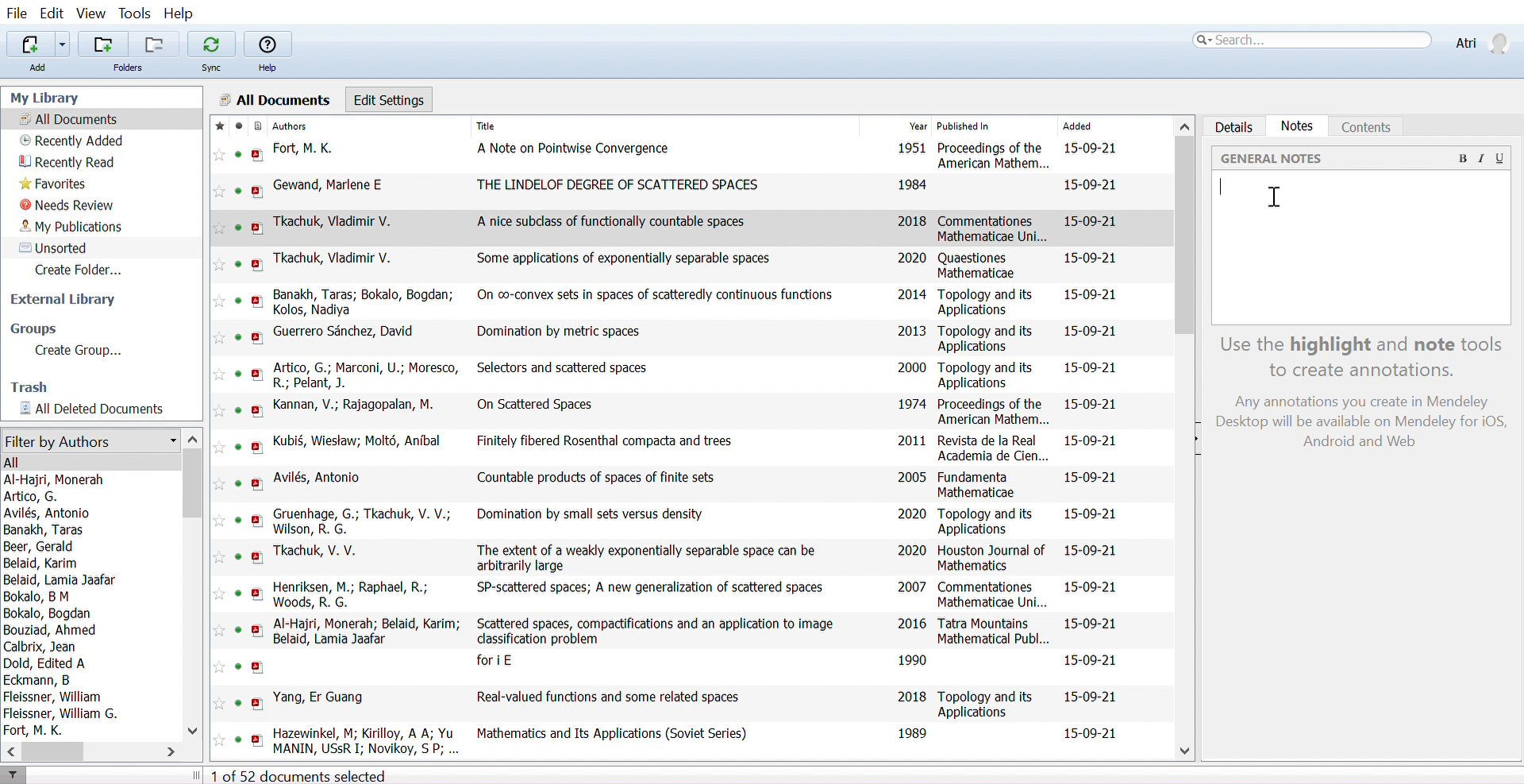  I want to click on The extent of a weakly exponentially separable space can be arbitrarily large, so click(649, 557).